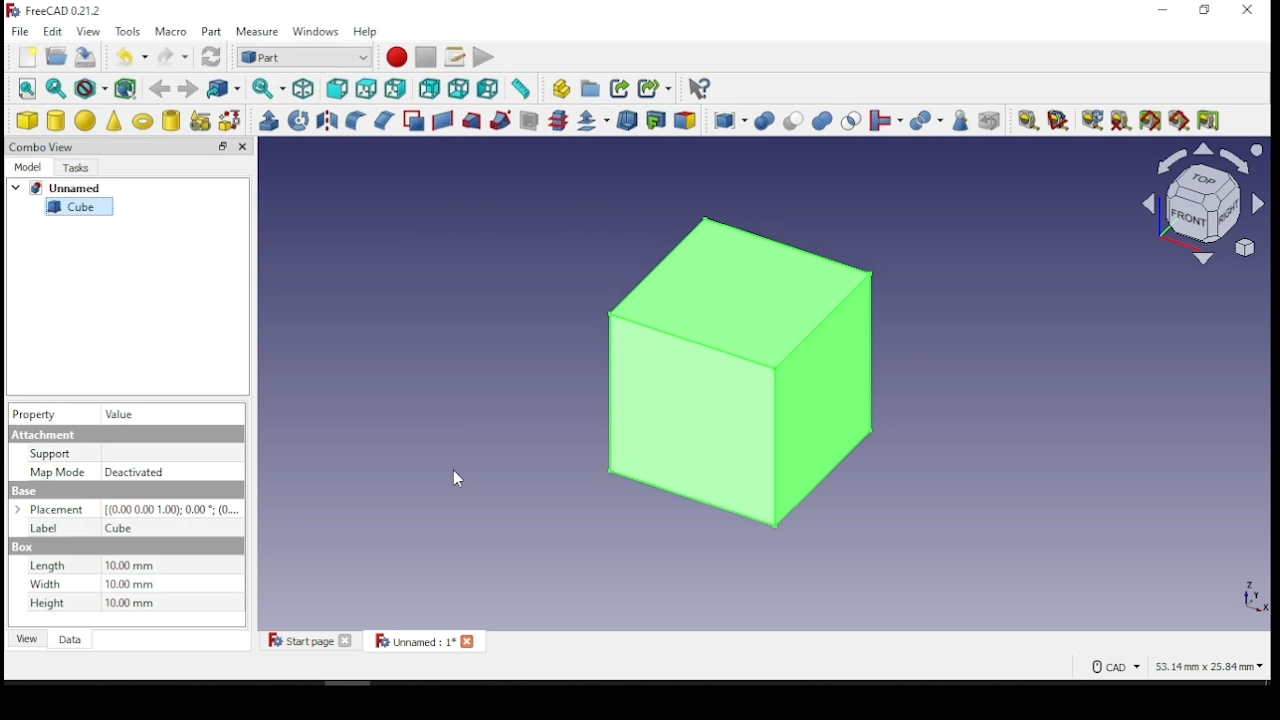 Image resolution: width=1280 pixels, height=720 pixels. Describe the element at coordinates (87, 55) in the screenshot. I see `save` at that location.